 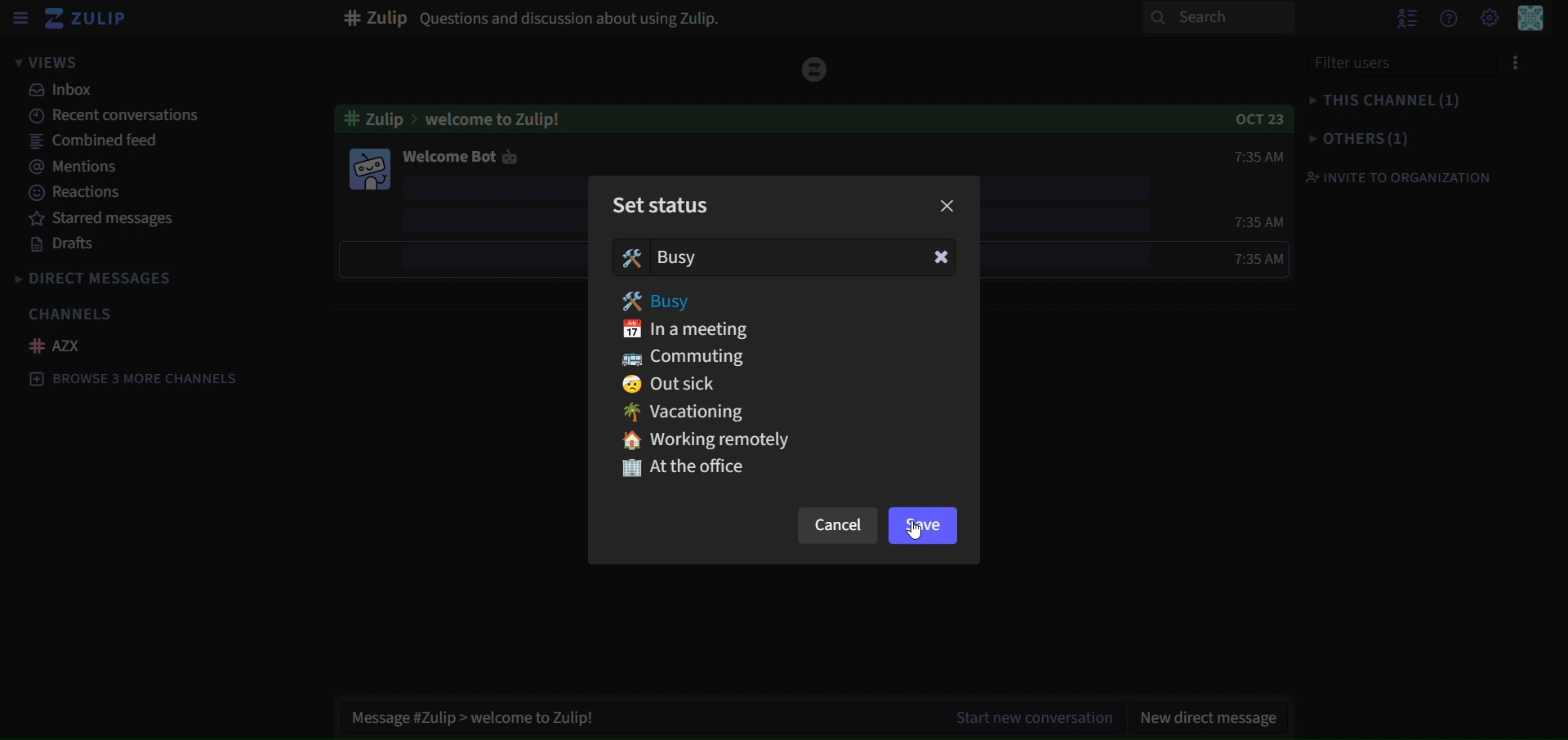 I want to click on mentions, so click(x=75, y=168).